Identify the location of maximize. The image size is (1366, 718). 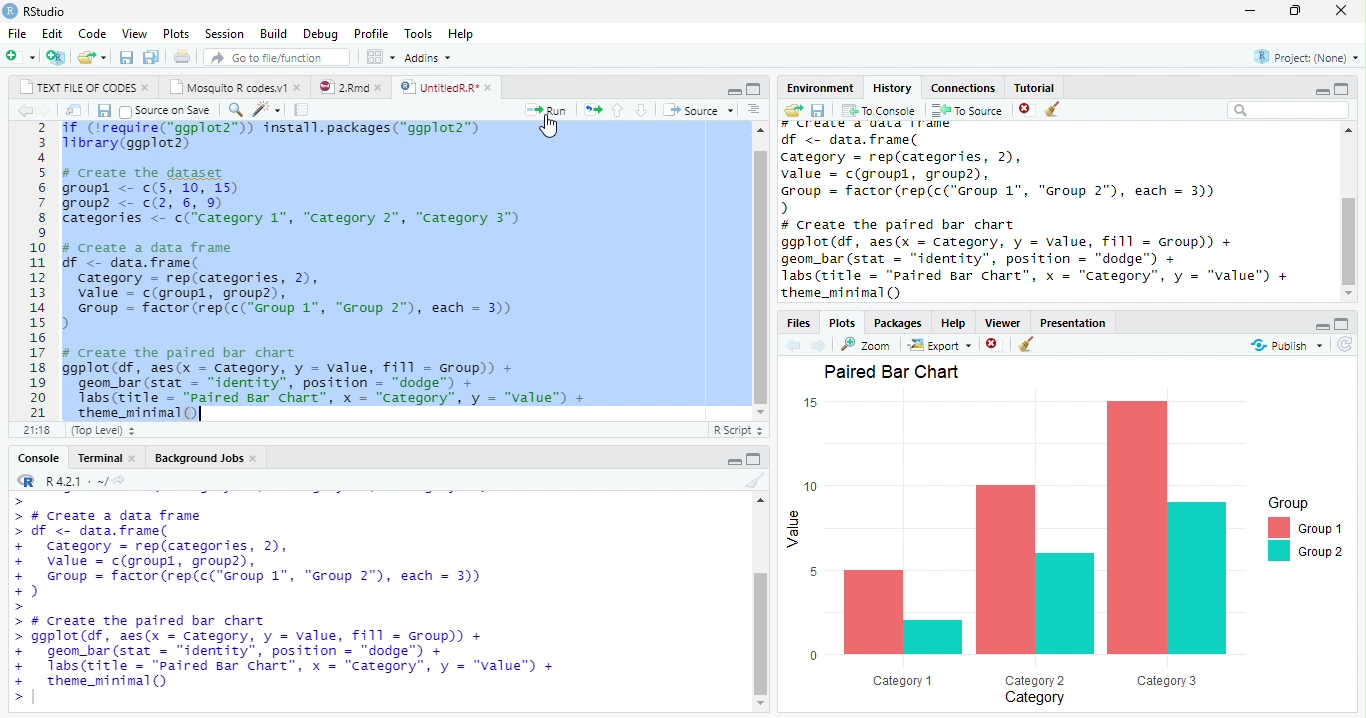
(758, 90).